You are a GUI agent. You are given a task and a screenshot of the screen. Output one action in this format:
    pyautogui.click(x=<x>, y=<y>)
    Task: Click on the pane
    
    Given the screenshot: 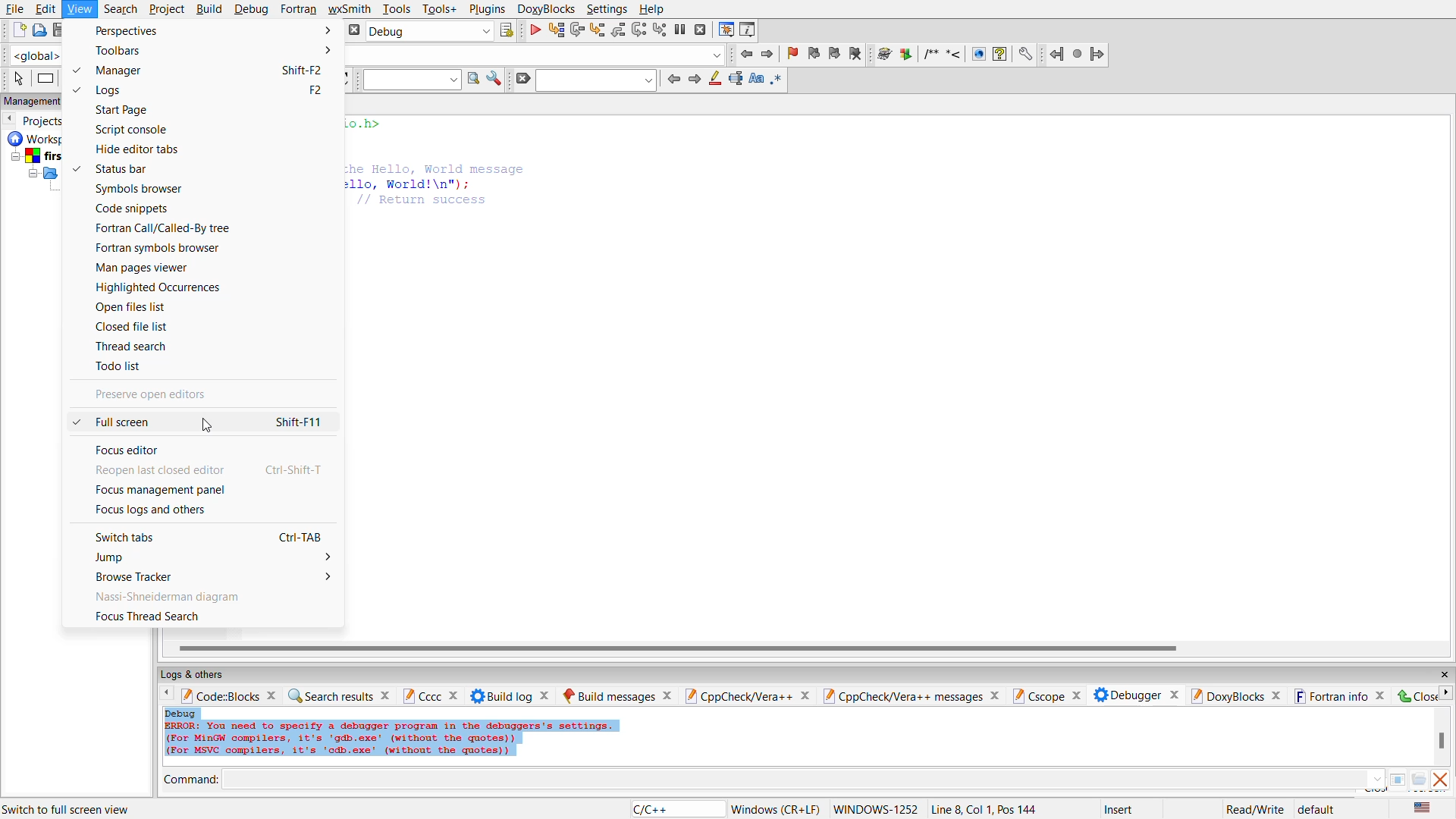 What is the action you would take?
    pyautogui.click(x=1401, y=780)
    